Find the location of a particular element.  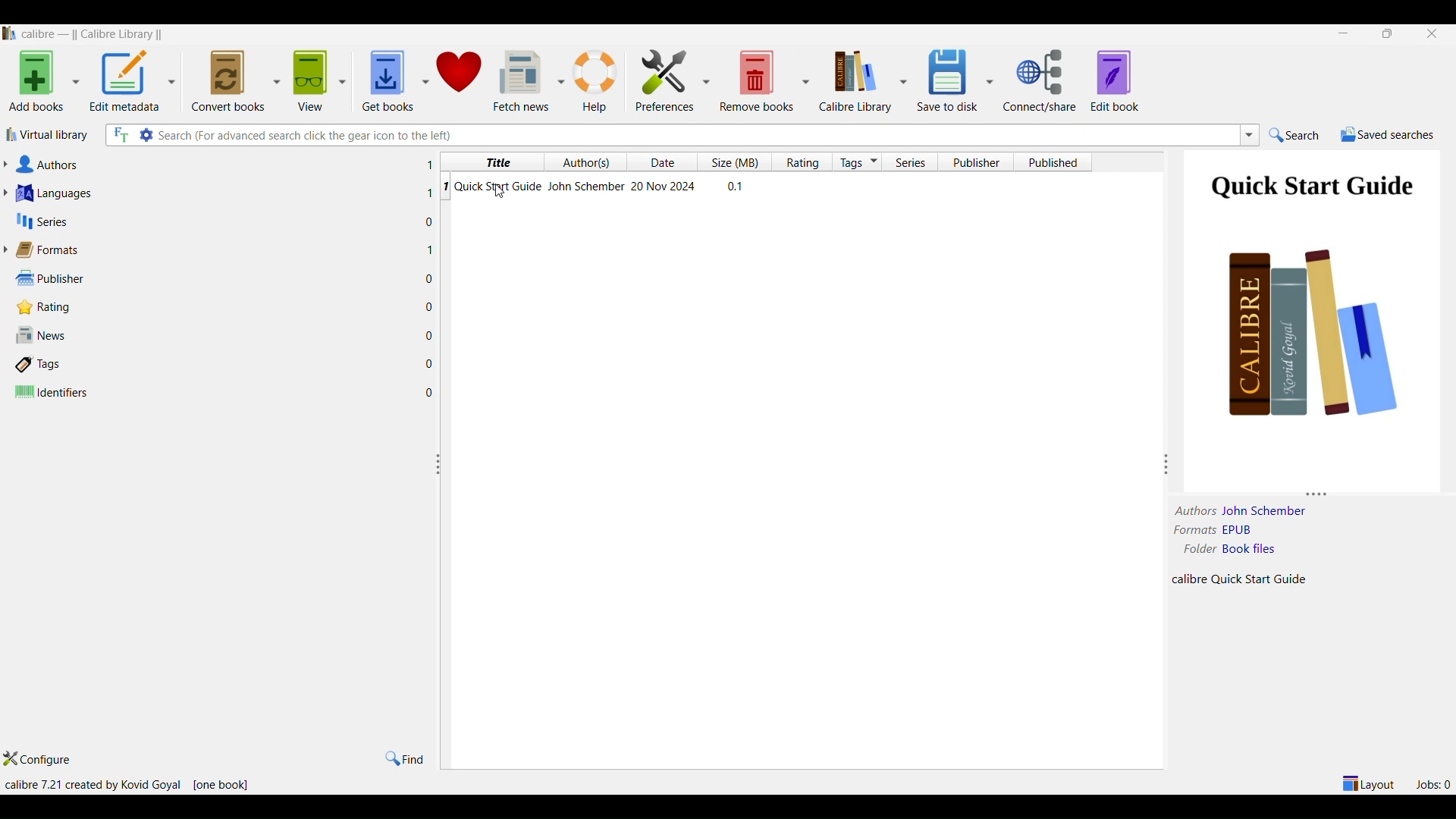

add books is located at coordinates (37, 83).